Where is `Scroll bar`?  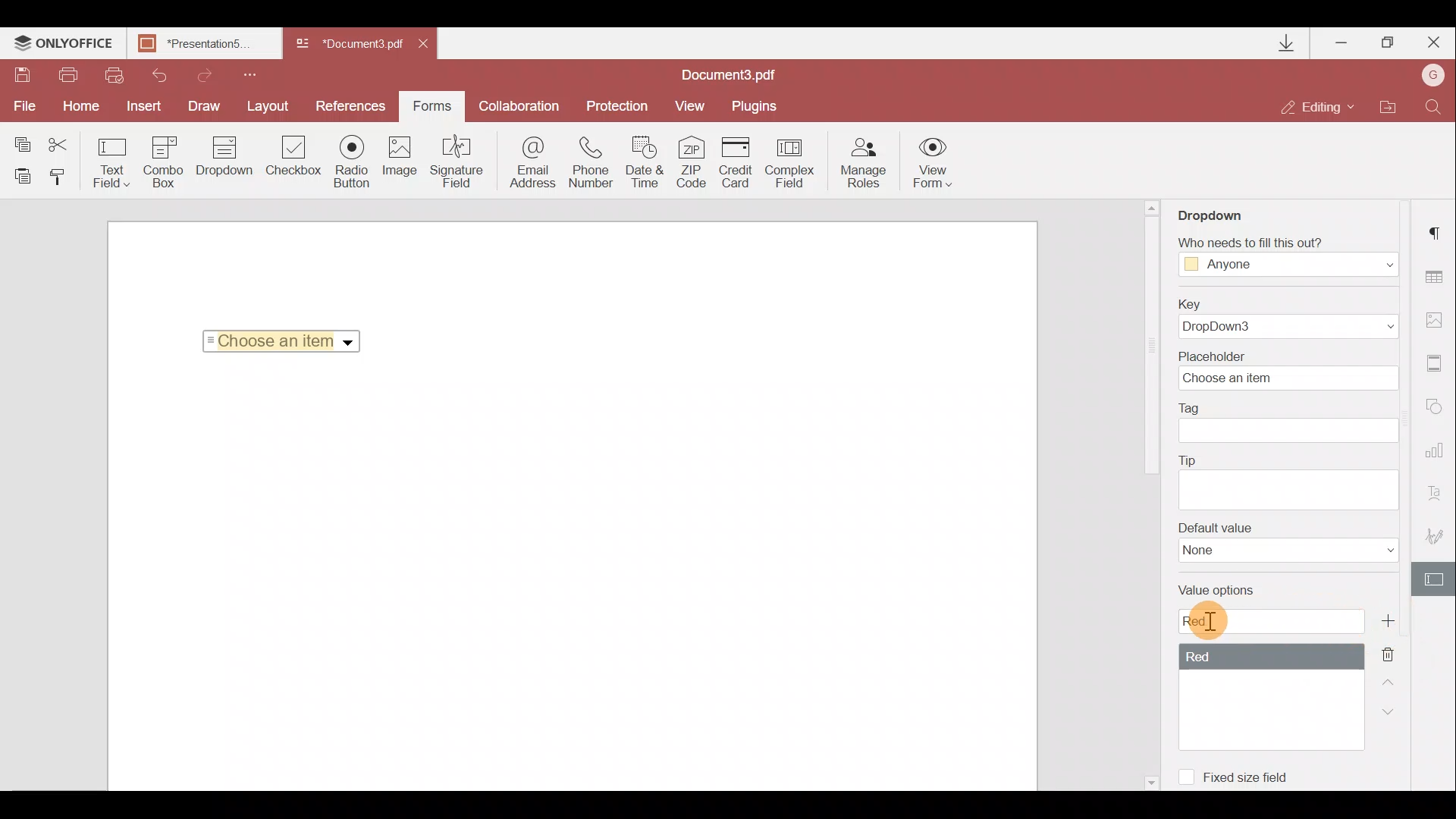 Scroll bar is located at coordinates (1150, 350).